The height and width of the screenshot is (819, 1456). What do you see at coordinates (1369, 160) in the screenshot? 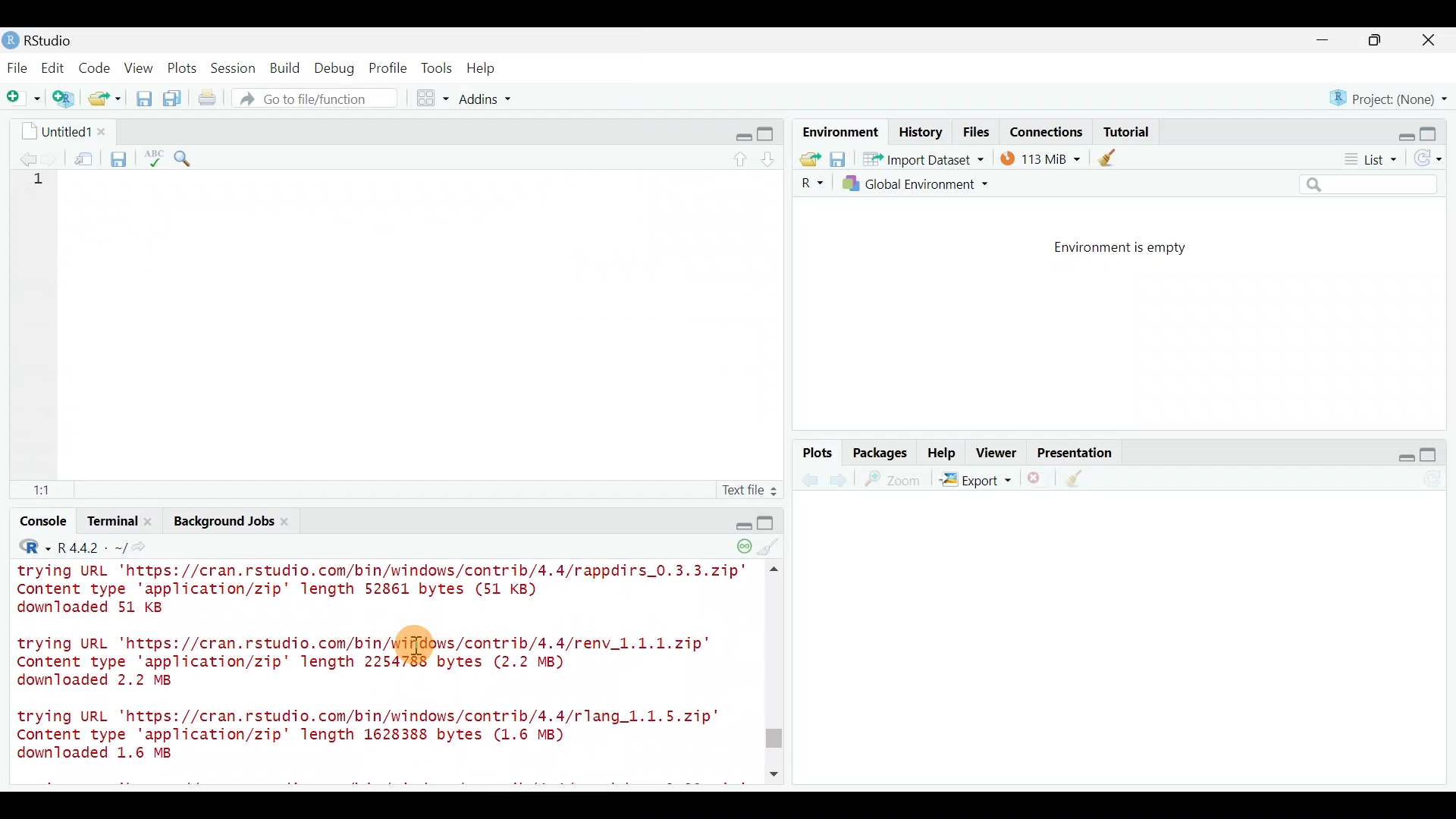
I see `List` at bounding box center [1369, 160].